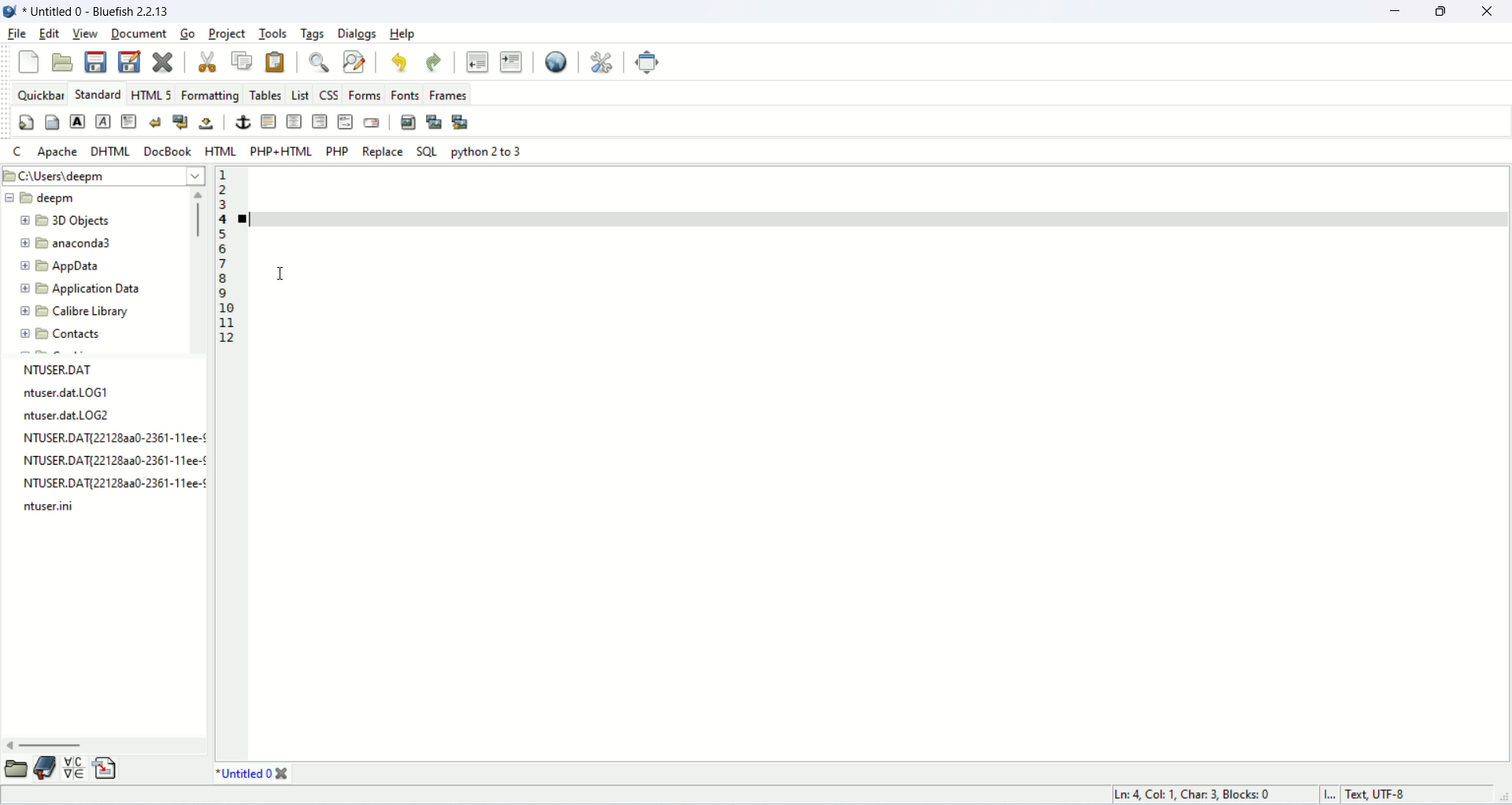  Describe the element at coordinates (322, 124) in the screenshot. I see `right justify` at that location.